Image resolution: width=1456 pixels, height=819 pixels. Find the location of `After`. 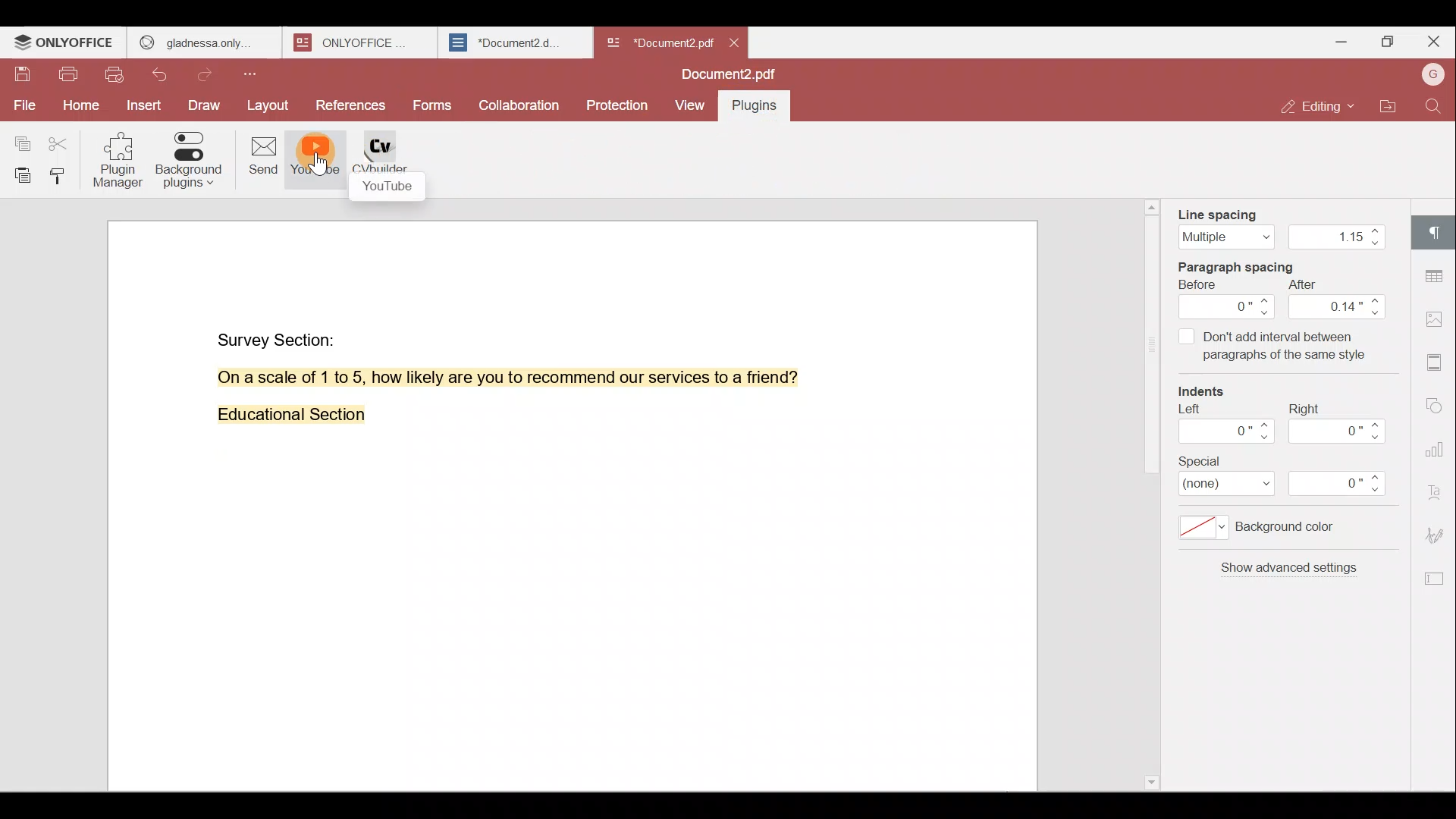

After is located at coordinates (1338, 300).